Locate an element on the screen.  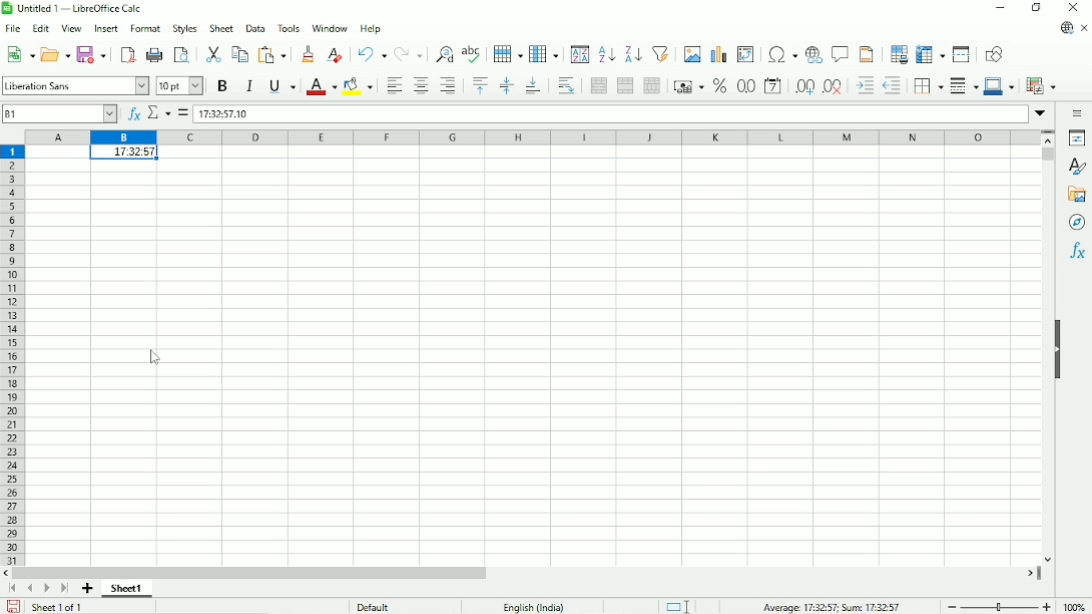
Insert special characters is located at coordinates (783, 53).